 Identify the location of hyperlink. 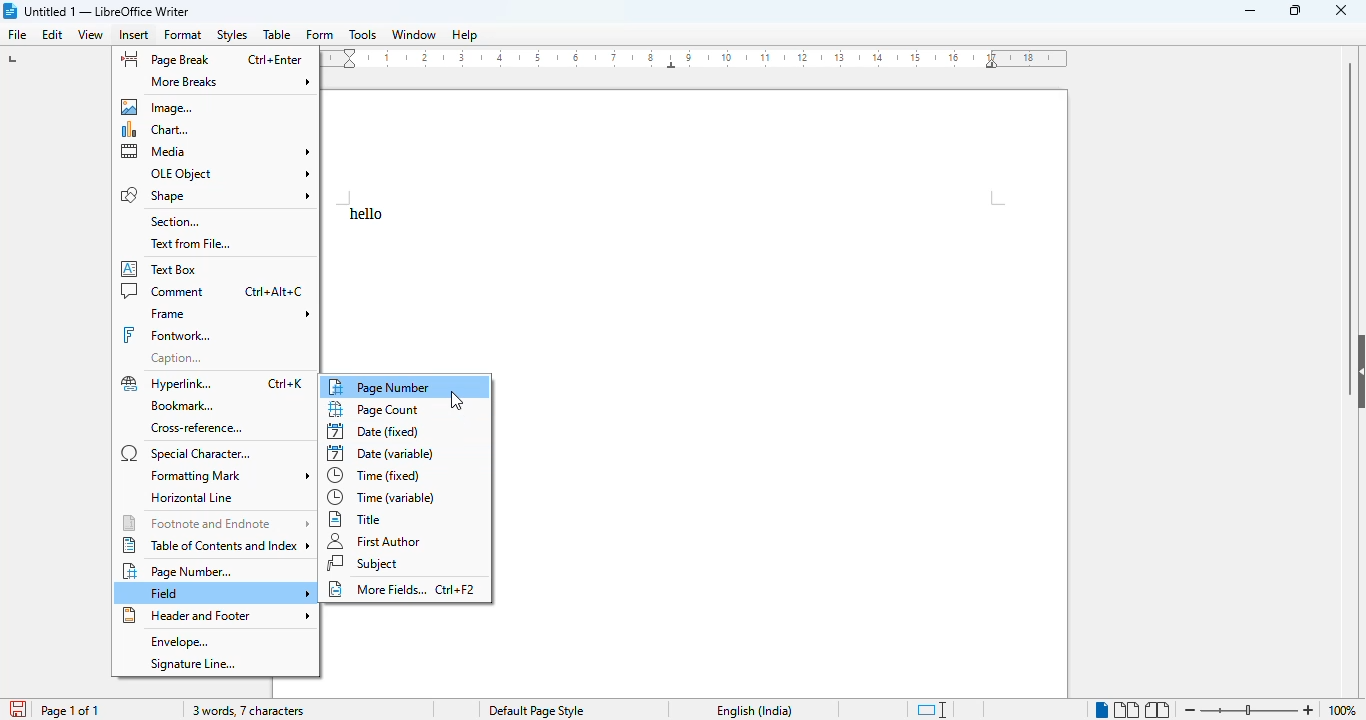
(168, 384).